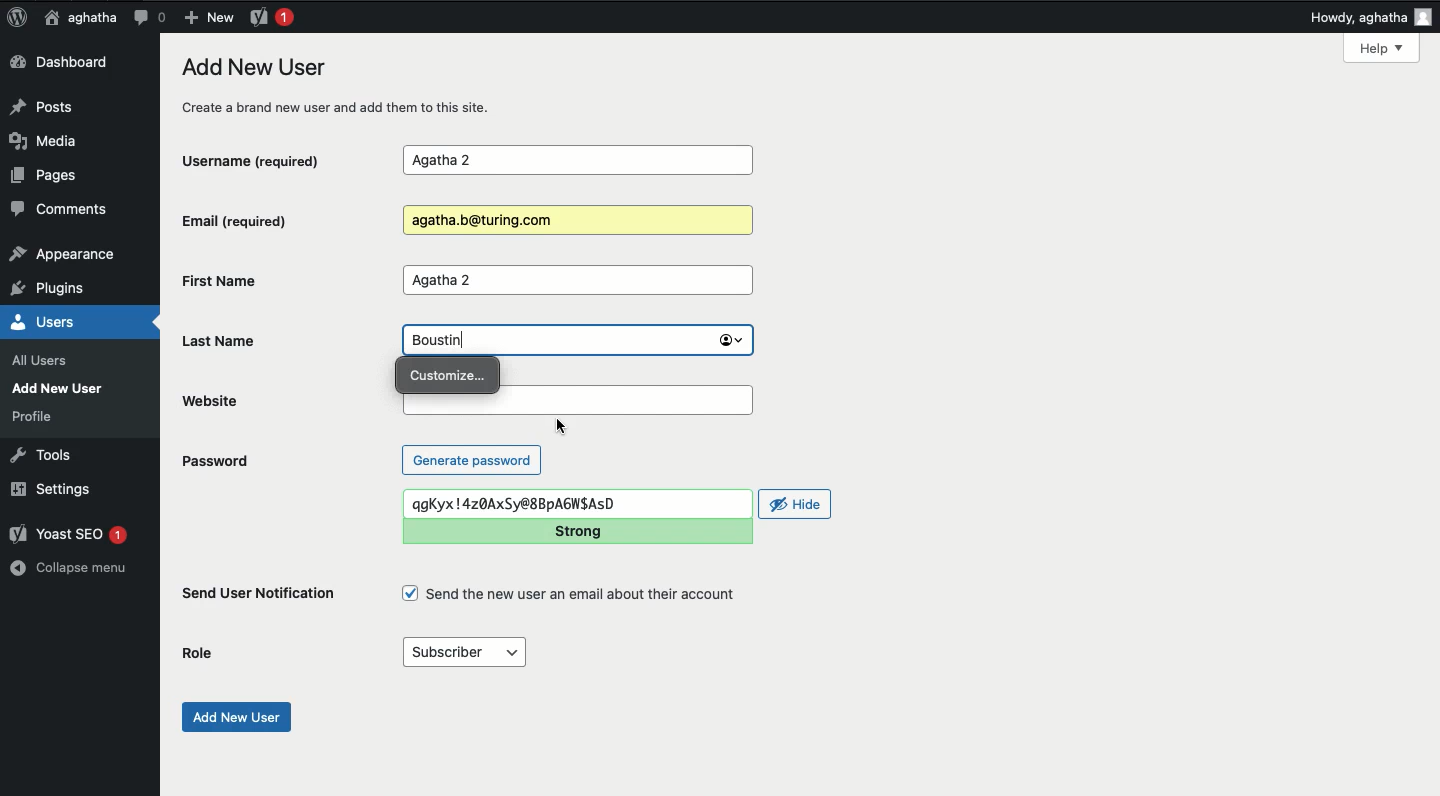  What do you see at coordinates (77, 17) in the screenshot?
I see `aghatha` at bounding box center [77, 17].